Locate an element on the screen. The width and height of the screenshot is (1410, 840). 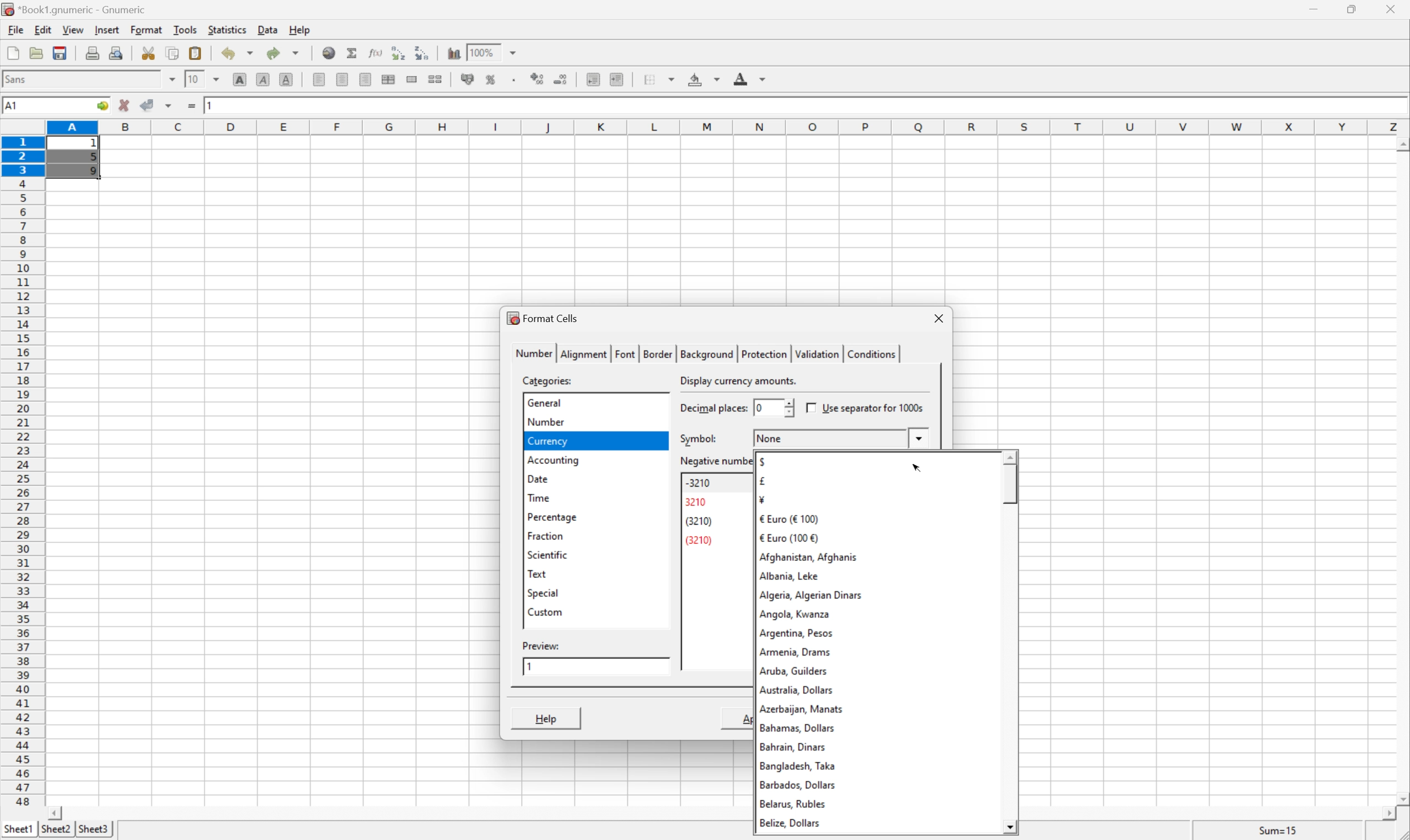
scroll up is located at coordinates (1401, 145).